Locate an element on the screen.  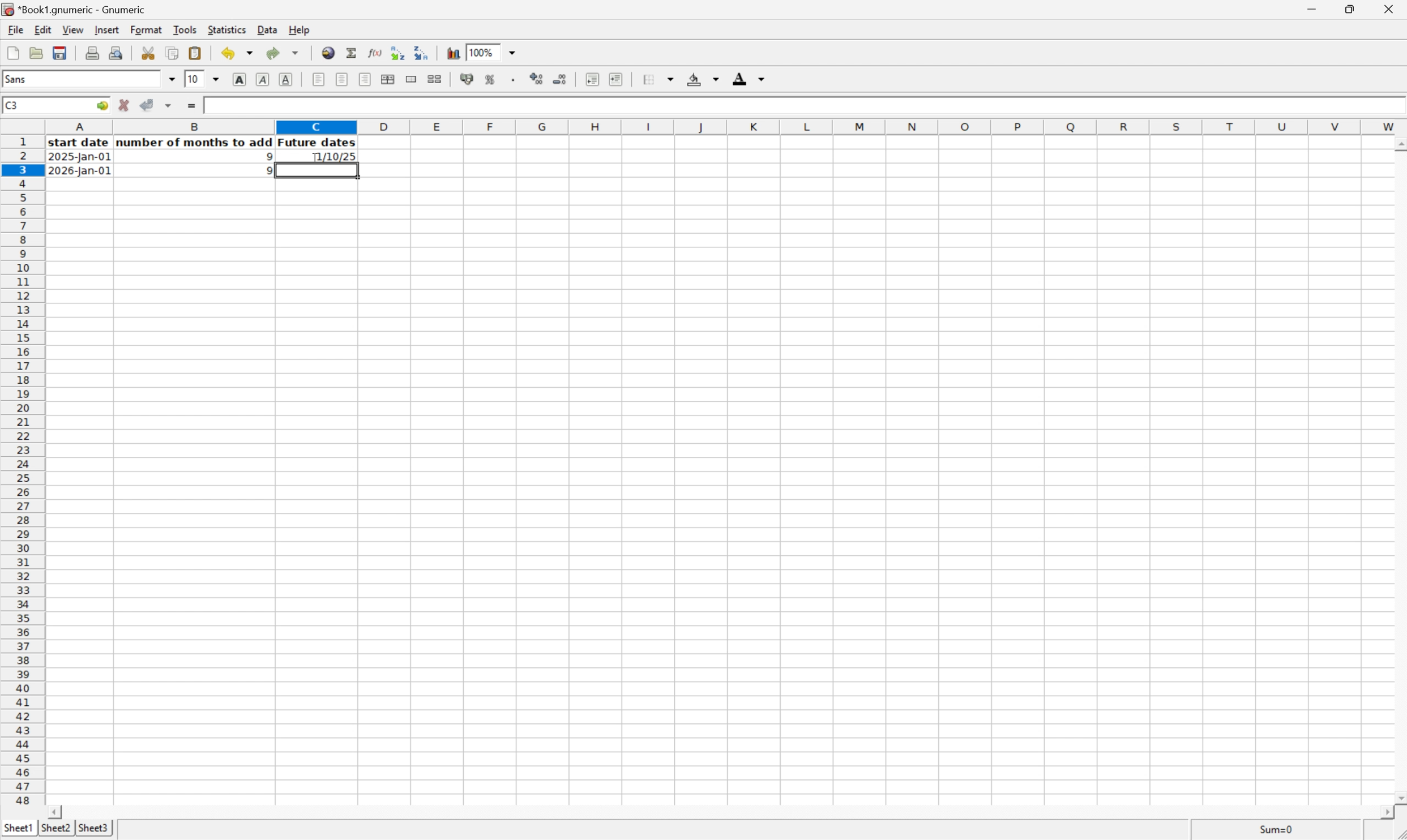
9 is located at coordinates (265, 156).